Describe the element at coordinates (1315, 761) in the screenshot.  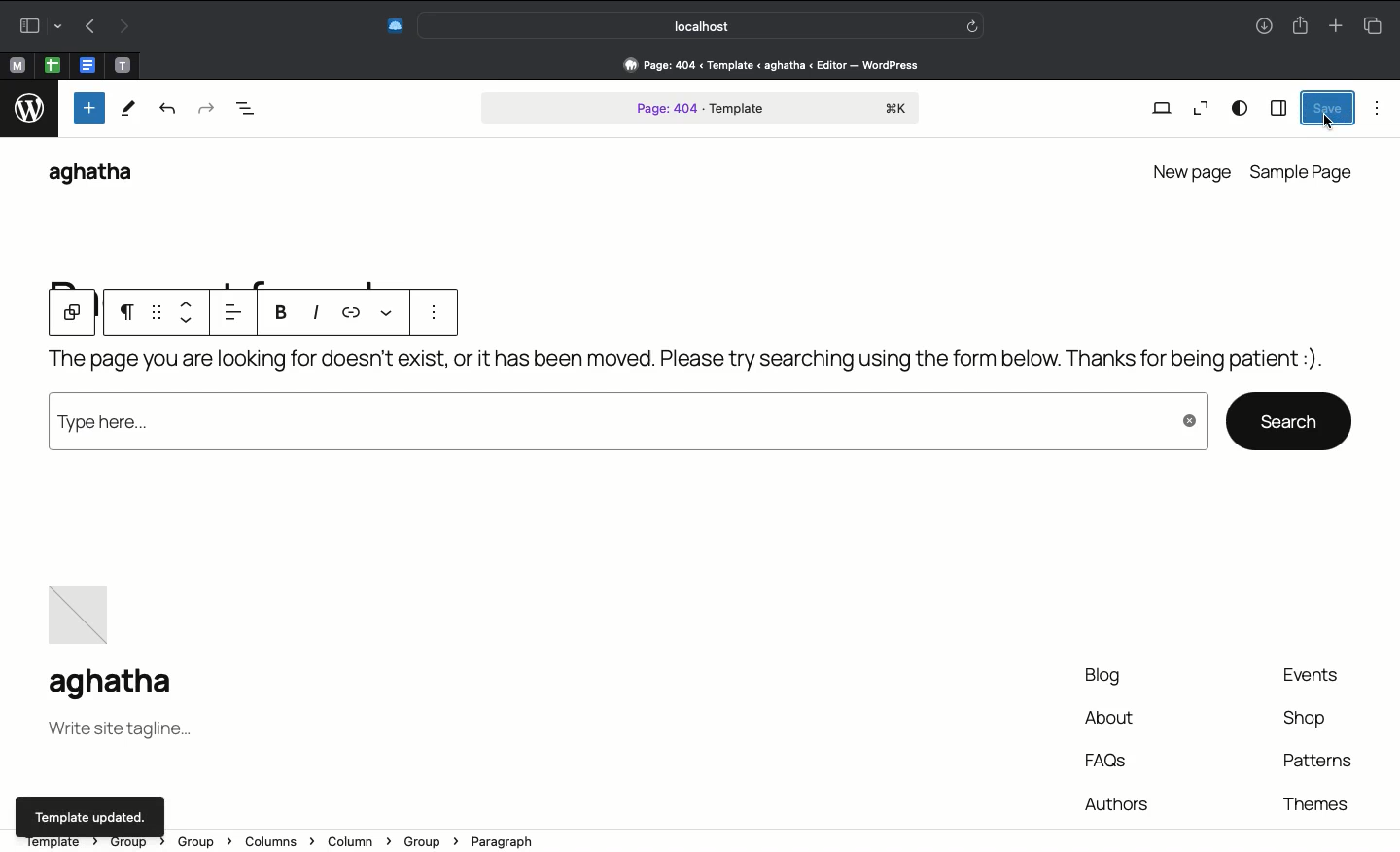
I see `Patterns` at that location.